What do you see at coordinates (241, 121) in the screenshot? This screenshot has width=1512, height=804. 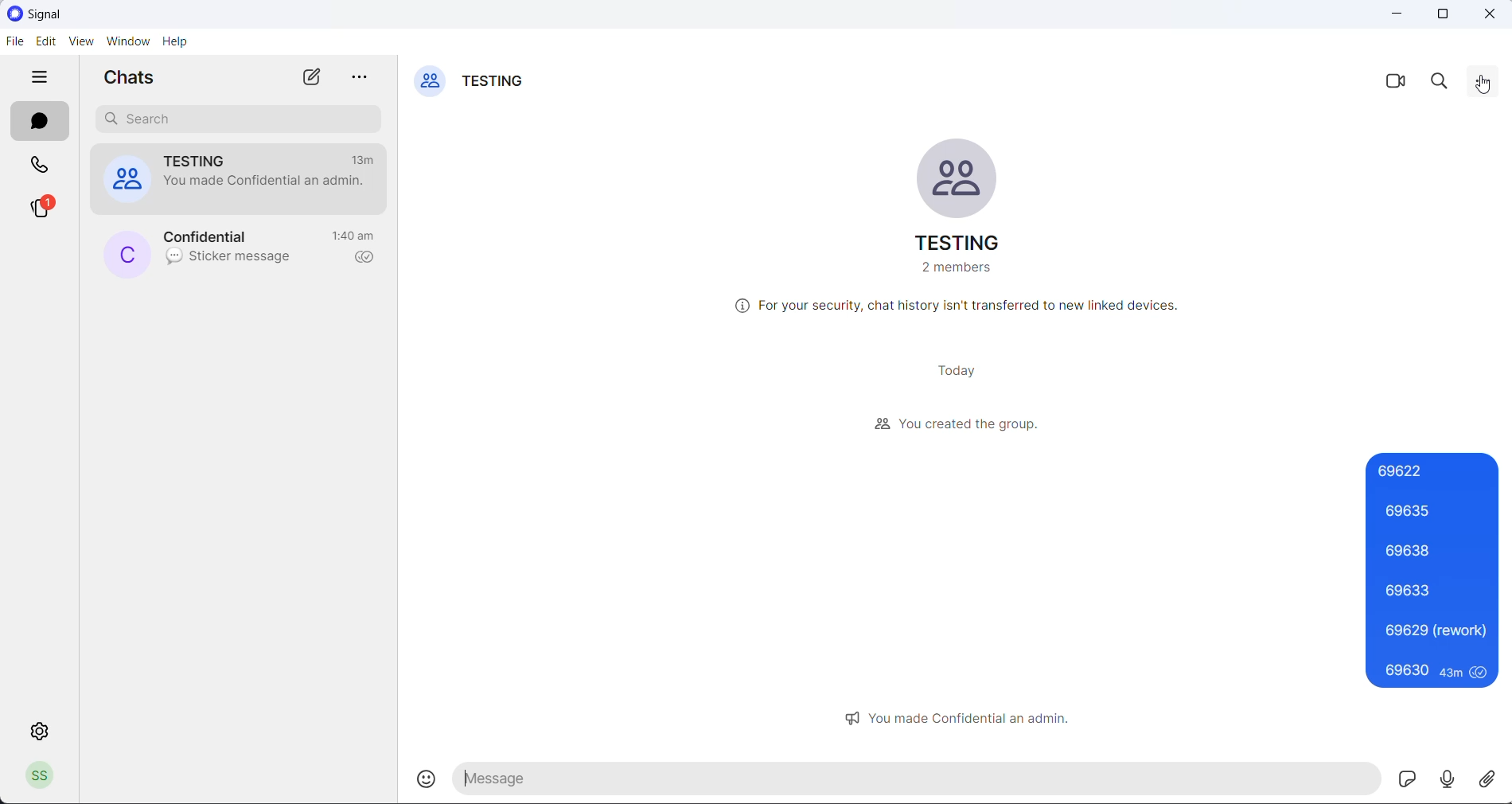 I see `search for chat` at bounding box center [241, 121].